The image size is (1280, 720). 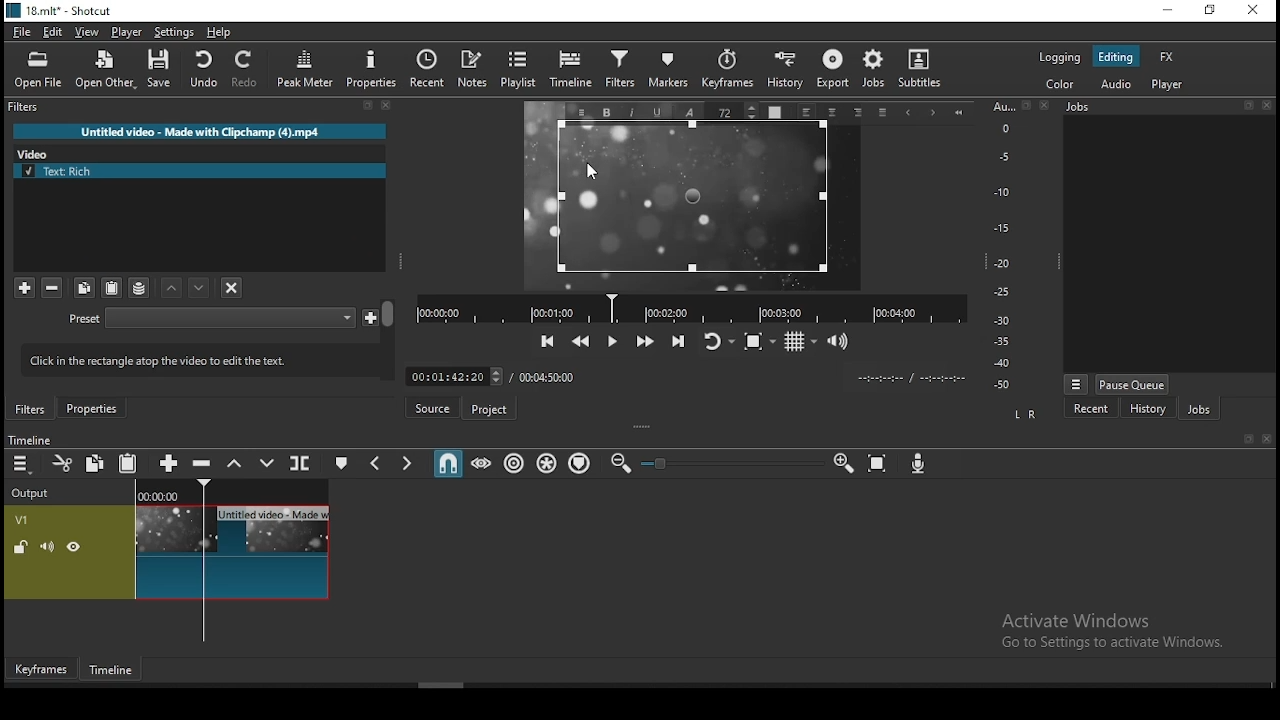 What do you see at coordinates (191, 358) in the screenshot?
I see `lick in the rectangle atop the video to edit the text.` at bounding box center [191, 358].